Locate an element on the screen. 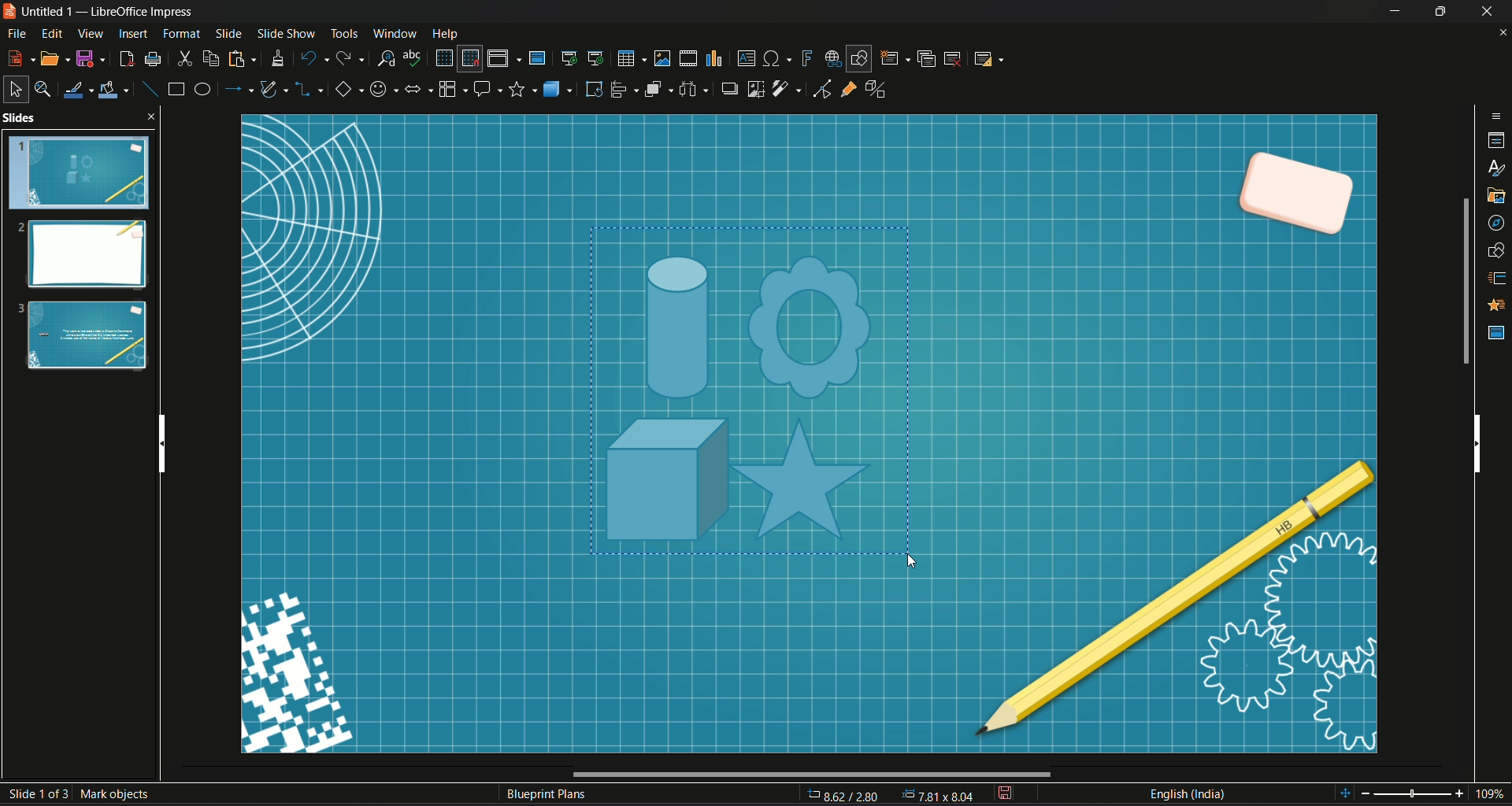  insert fontwork text is located at coordinates (806, 57).